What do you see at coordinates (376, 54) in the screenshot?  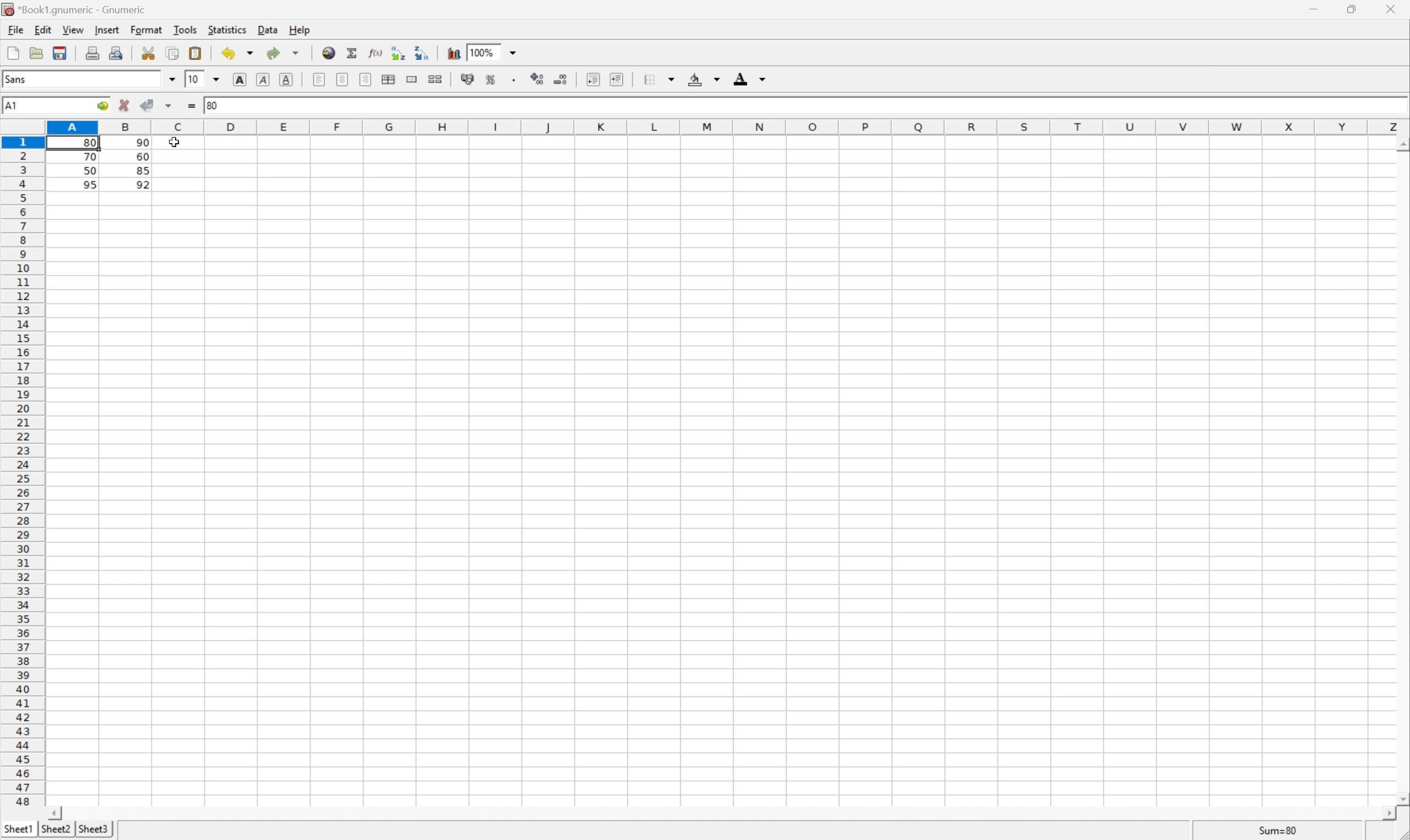 I see `Edit a function in the current cell` at bounding box center [376, 54].